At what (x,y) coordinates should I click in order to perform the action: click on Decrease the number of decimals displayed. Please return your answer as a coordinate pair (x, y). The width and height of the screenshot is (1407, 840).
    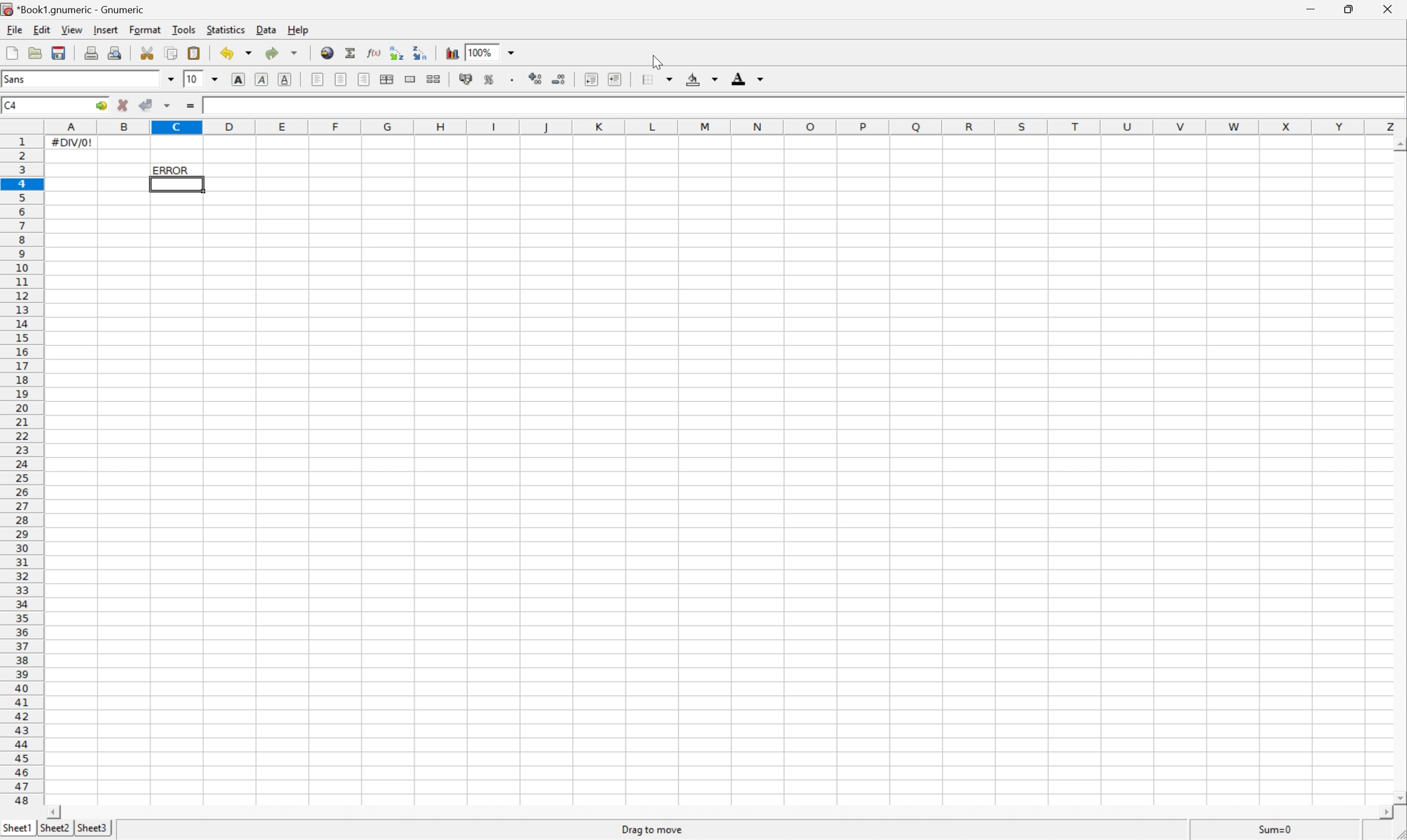
    Looking at the image, I should click on (561, 78).